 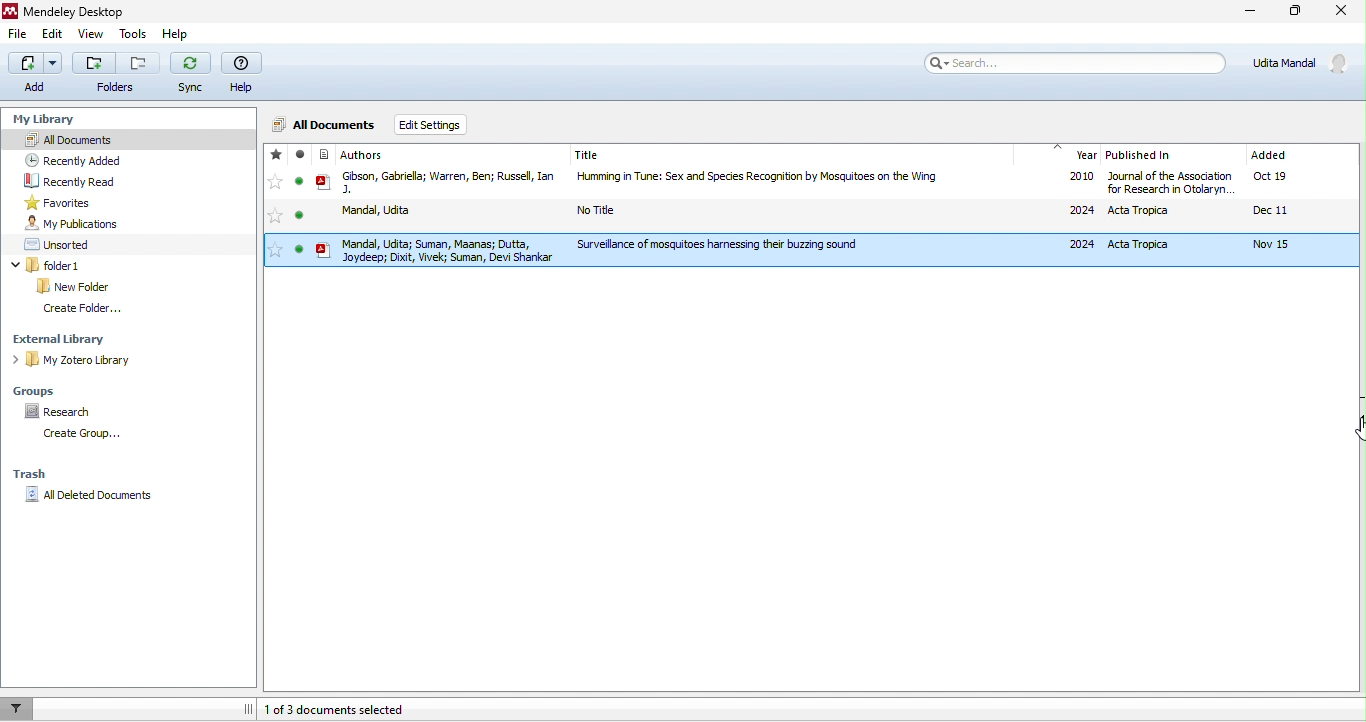 What do you see at coordinates (20, 35) in the screenshot?
I see `file` at bounding box center [20, 35].